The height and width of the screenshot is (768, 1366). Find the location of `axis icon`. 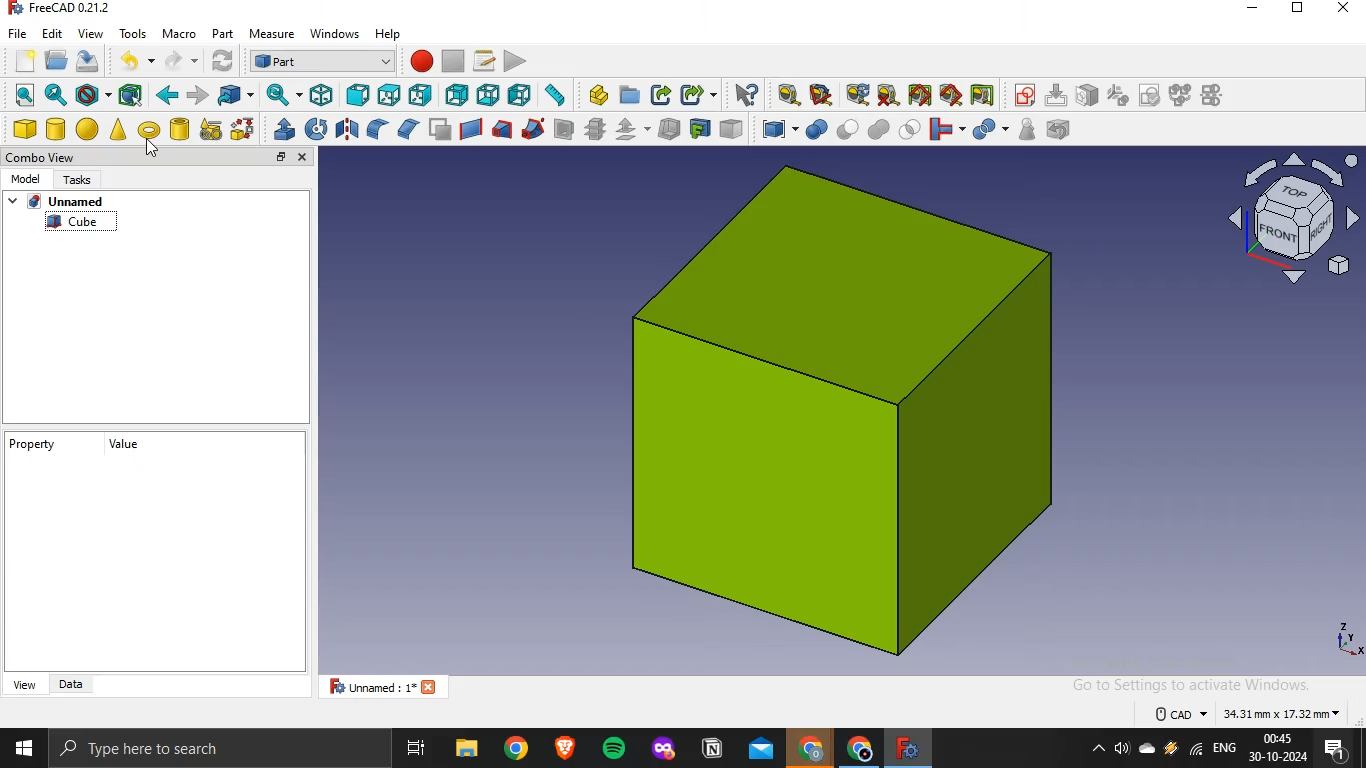

axis icon is located at coordinates (1293, 219).